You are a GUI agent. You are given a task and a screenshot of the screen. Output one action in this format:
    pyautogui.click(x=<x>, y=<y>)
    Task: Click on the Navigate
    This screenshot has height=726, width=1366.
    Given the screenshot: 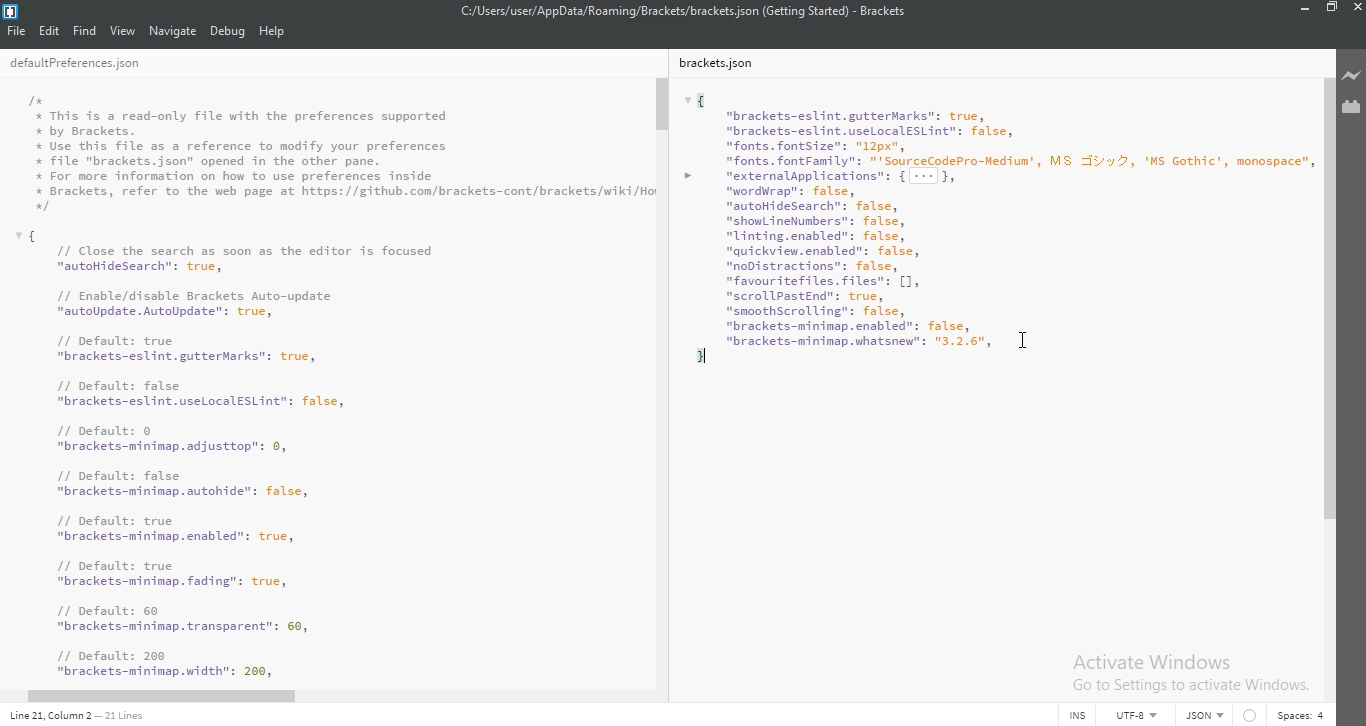 What is the action you would take?
    pyautogui.click(x=174, y=30)
    